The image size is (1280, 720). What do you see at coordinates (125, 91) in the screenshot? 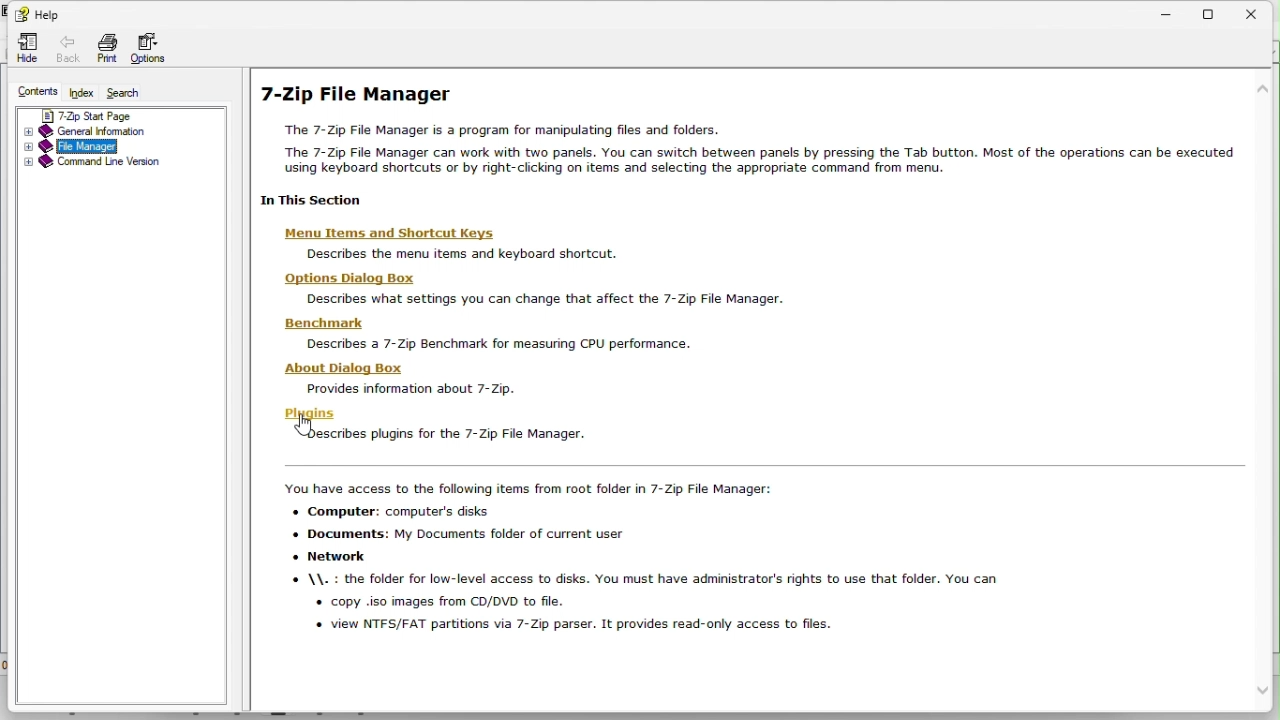
I see `search` at bounding box center [125, 91].